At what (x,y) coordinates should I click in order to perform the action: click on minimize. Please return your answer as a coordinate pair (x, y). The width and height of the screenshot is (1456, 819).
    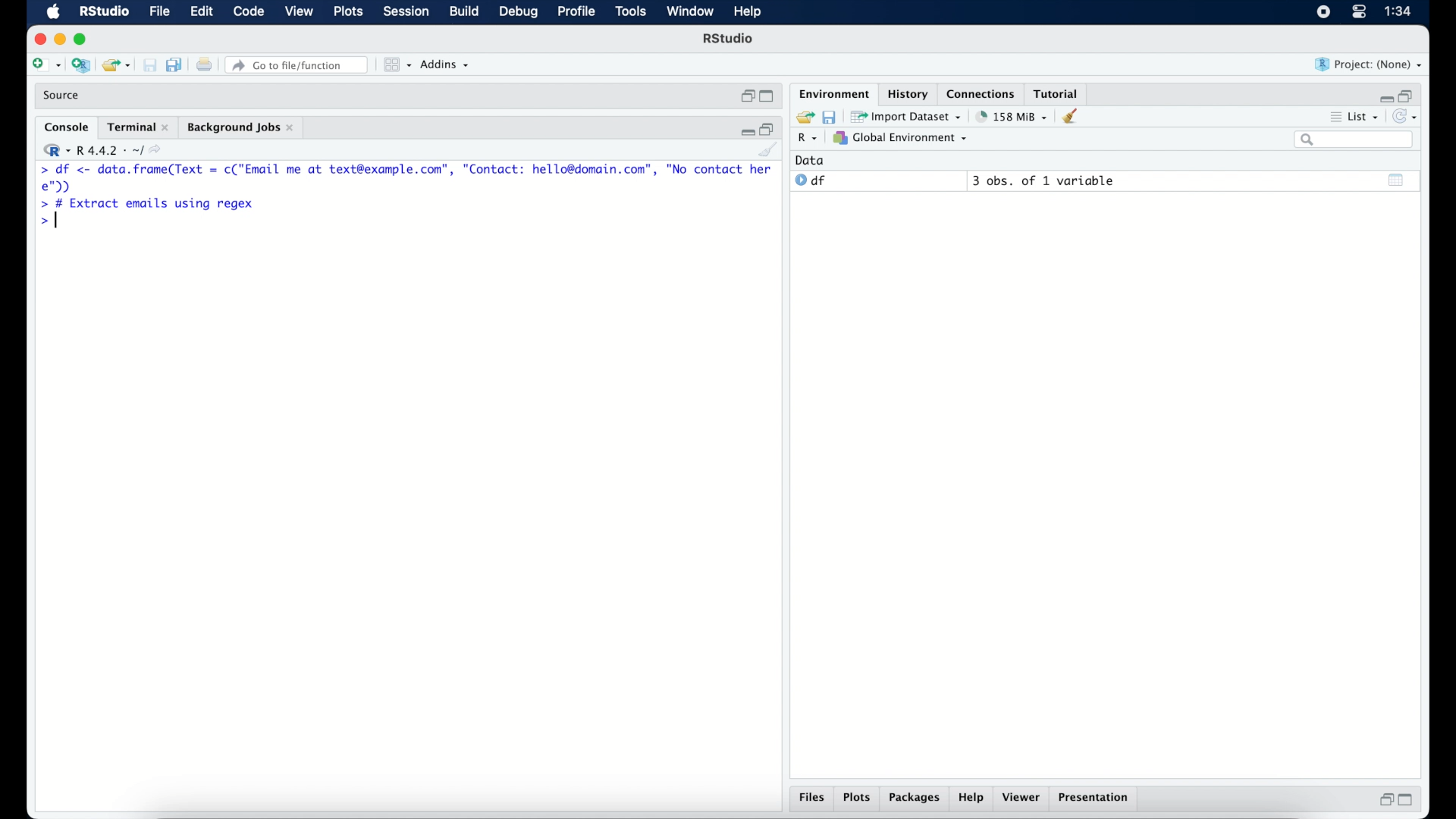
    Looking at the image, I should click on (745, 131).